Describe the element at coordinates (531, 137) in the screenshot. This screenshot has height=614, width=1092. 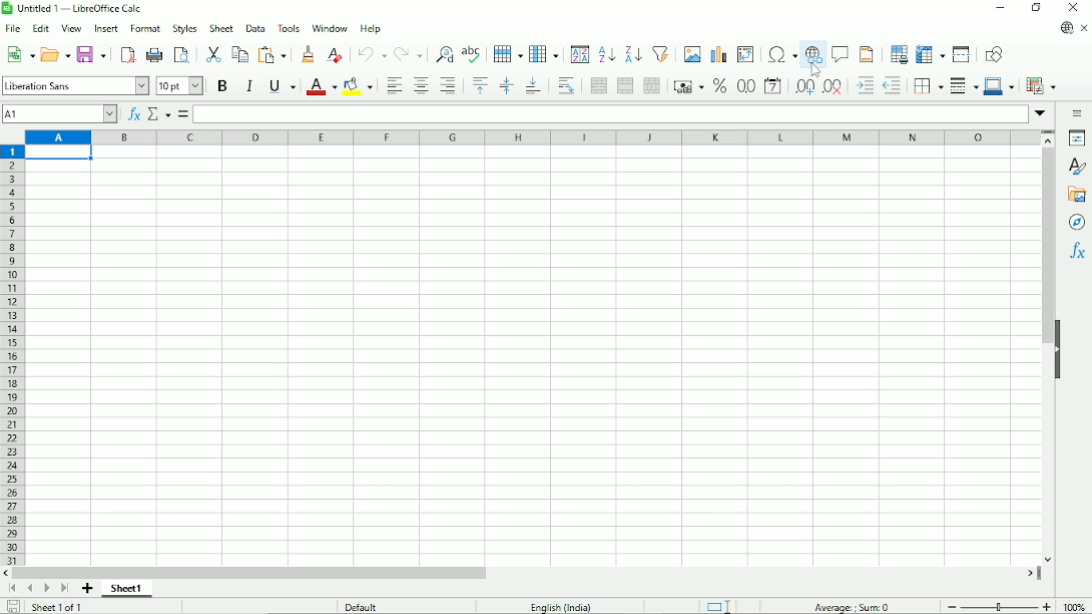
I see `Column headings` at that location.